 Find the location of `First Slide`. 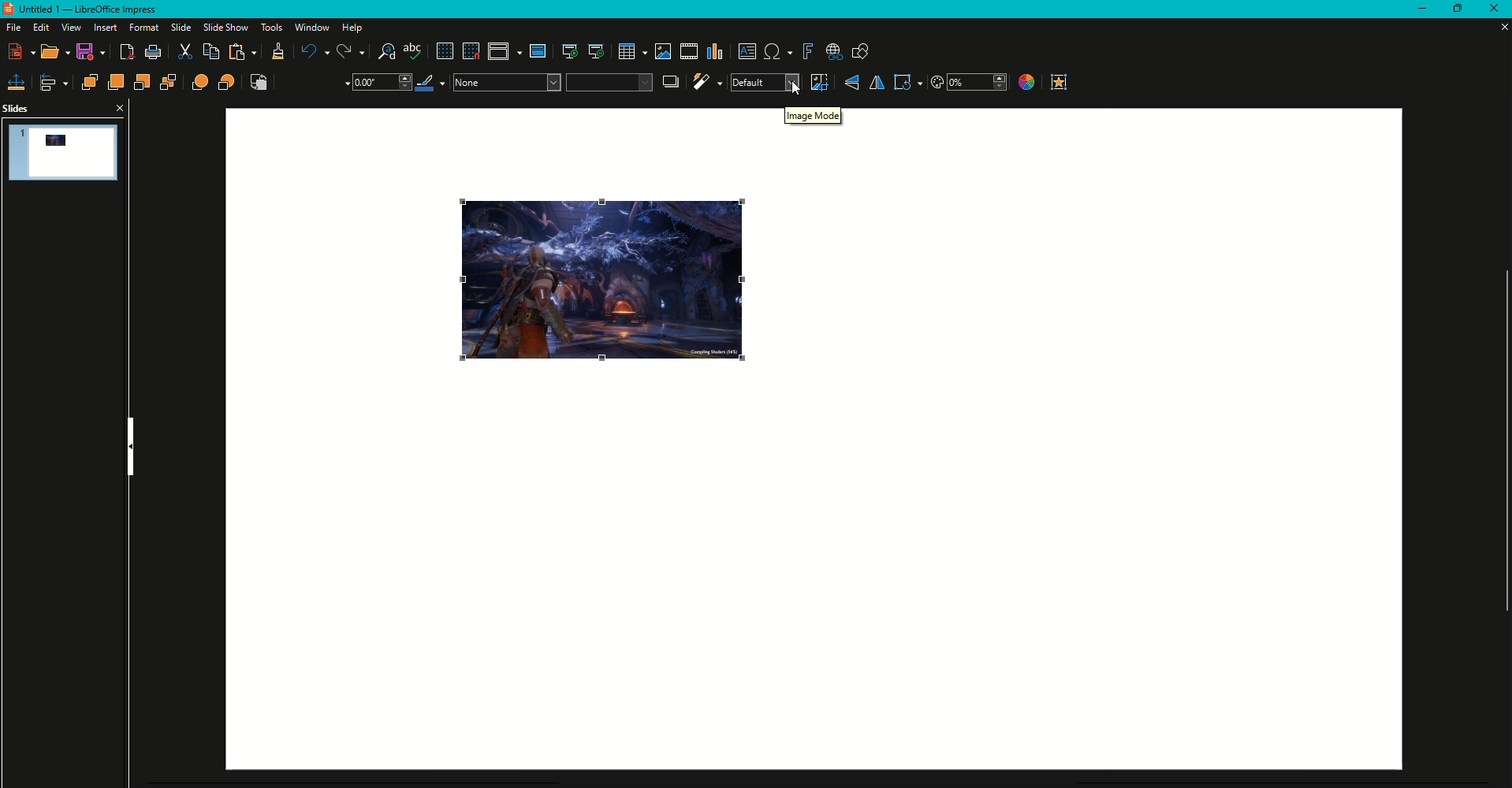

First Slide is located at coordinates (568, 53).